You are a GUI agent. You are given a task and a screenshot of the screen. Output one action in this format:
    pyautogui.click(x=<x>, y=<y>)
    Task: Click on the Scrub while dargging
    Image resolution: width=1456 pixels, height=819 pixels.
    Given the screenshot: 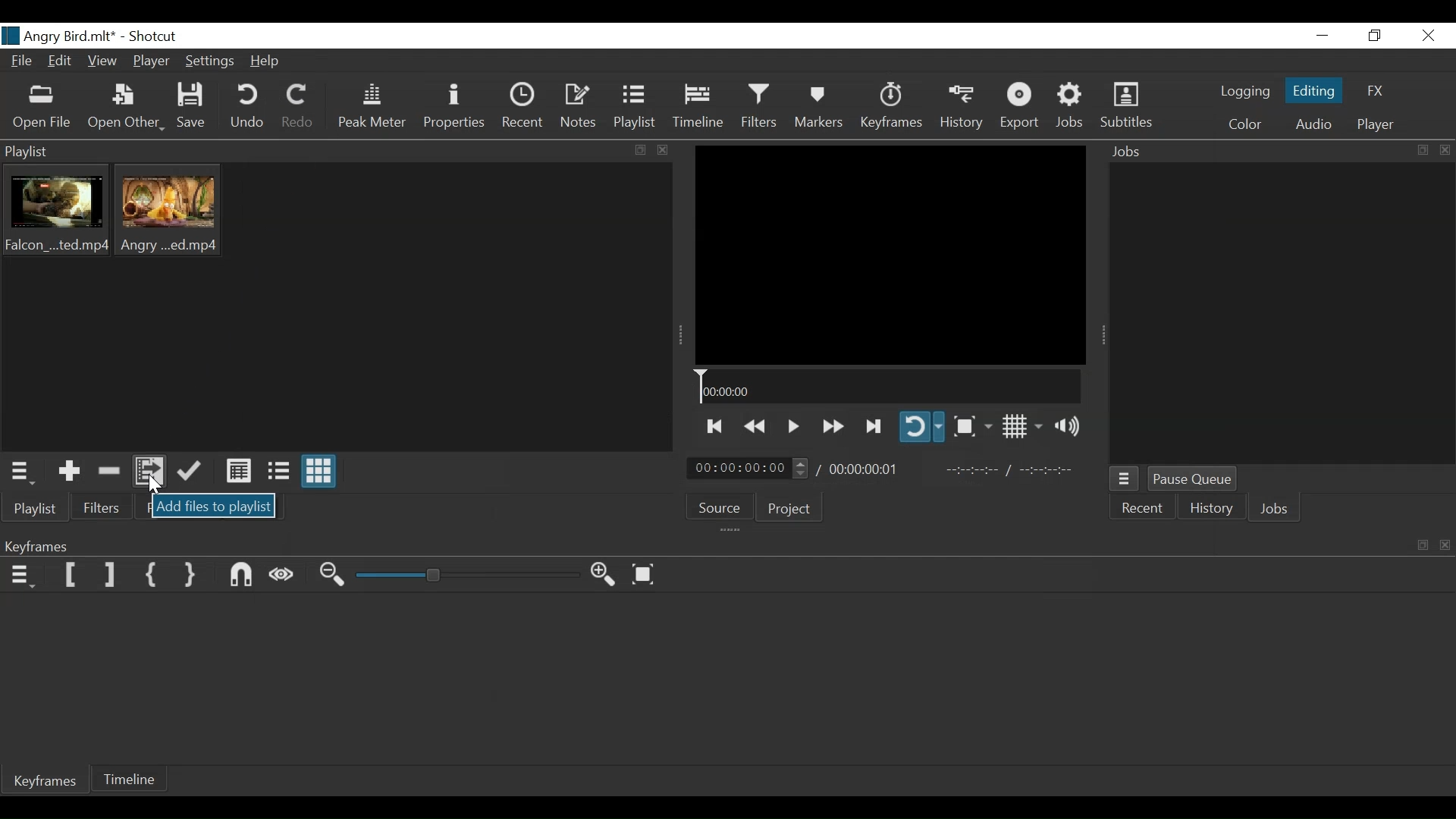 What is the action you would take?
    pyautogui.click(x=285, y=576)
    